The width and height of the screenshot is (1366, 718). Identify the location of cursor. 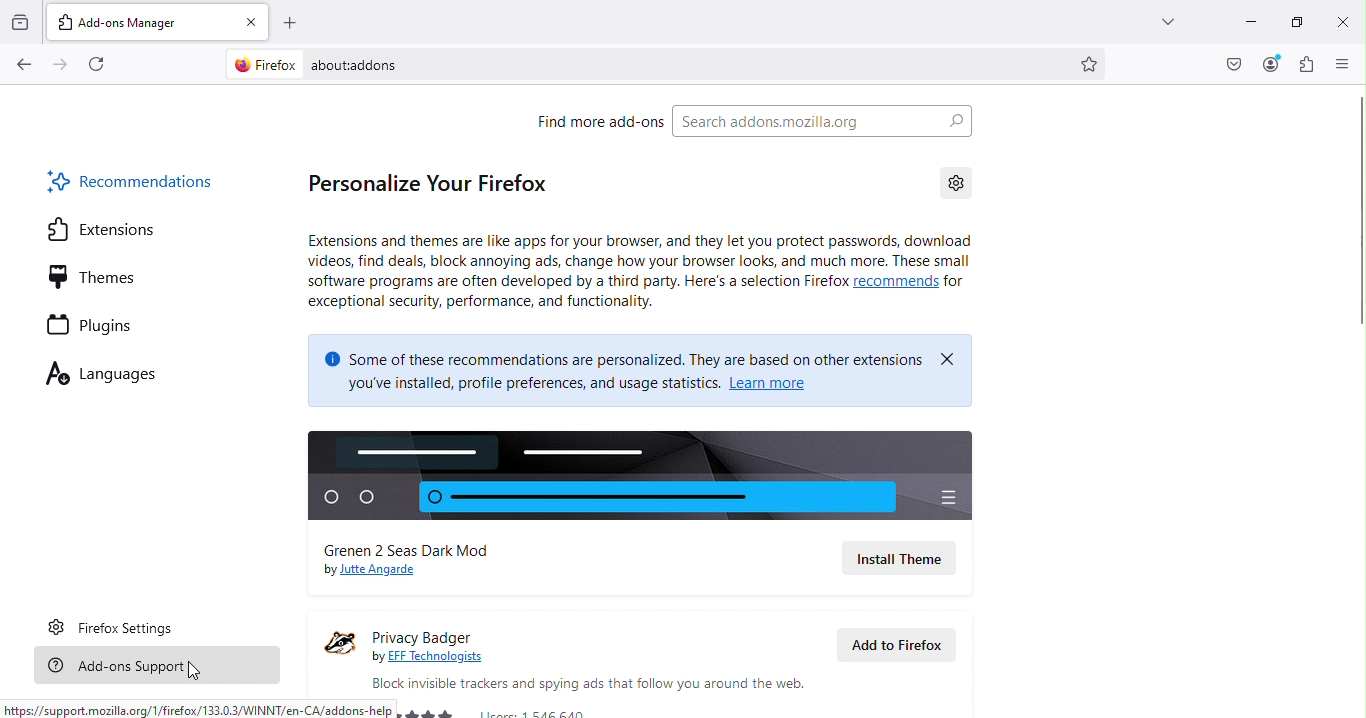
(193, 672).